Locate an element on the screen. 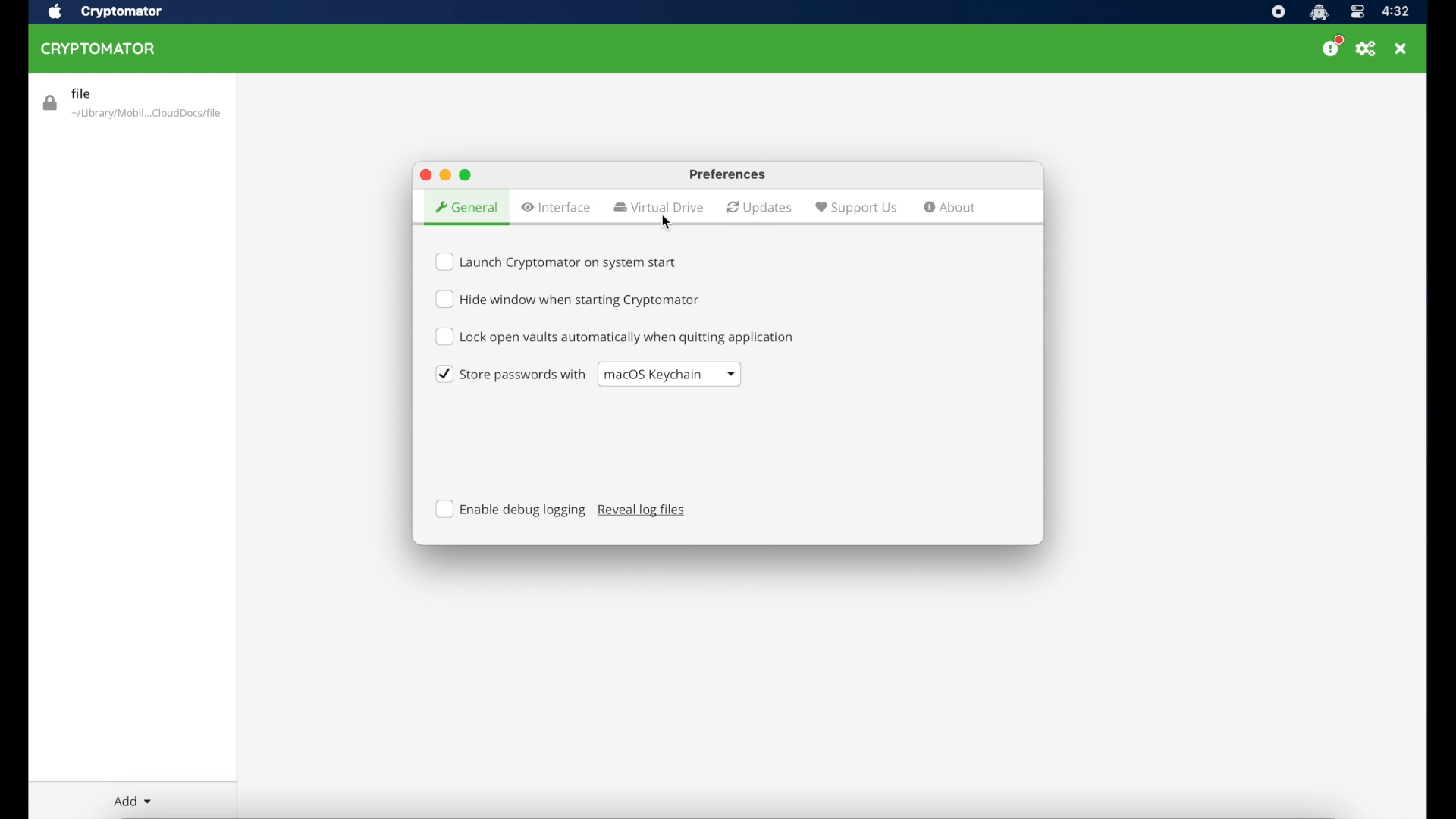 Image resolution: width=1456 pixels, height=819 pixels. checkbox is located at coordinates (561, 262).